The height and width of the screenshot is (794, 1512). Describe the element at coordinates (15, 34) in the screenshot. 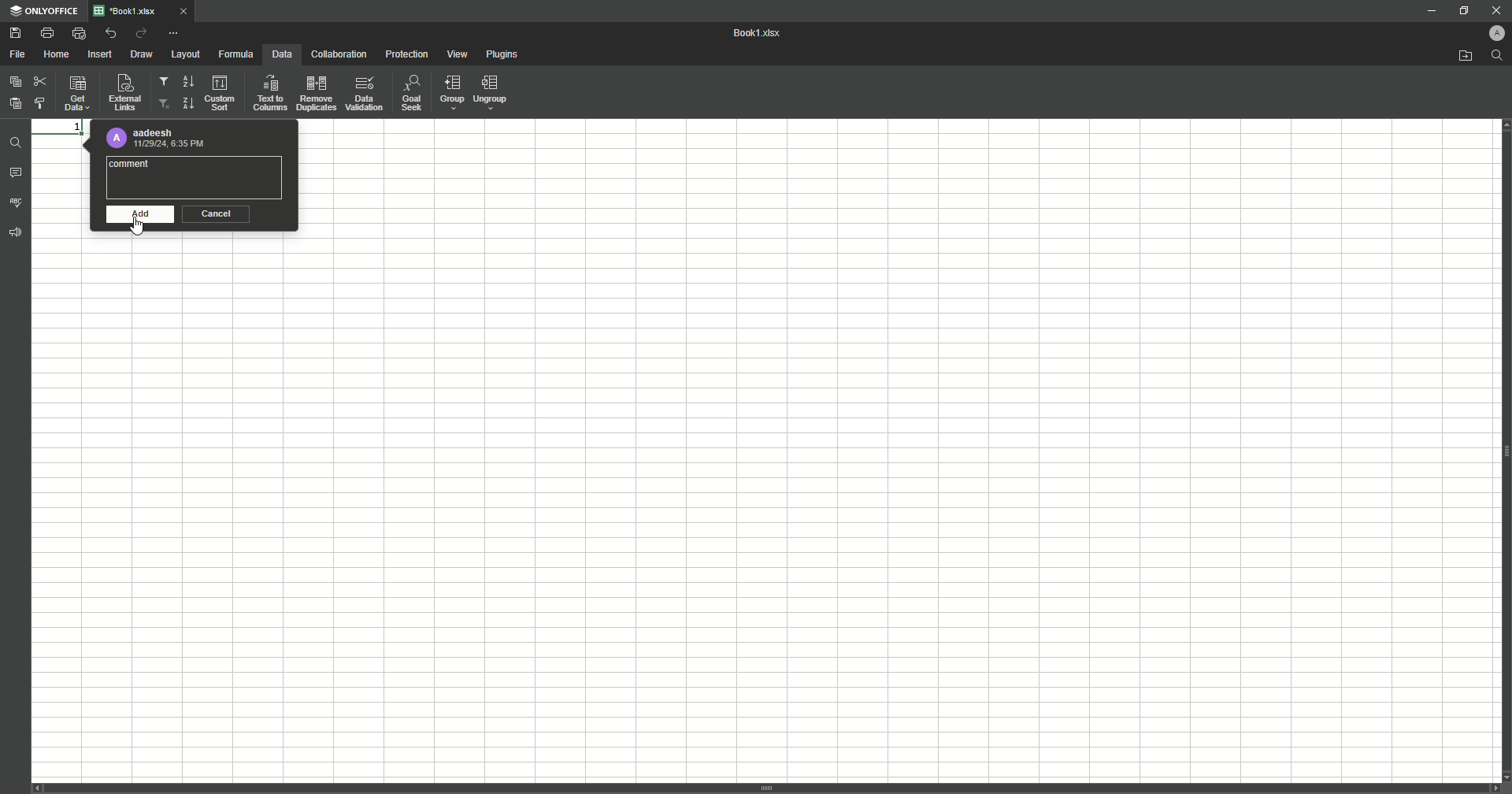

I see `Save` at that location.